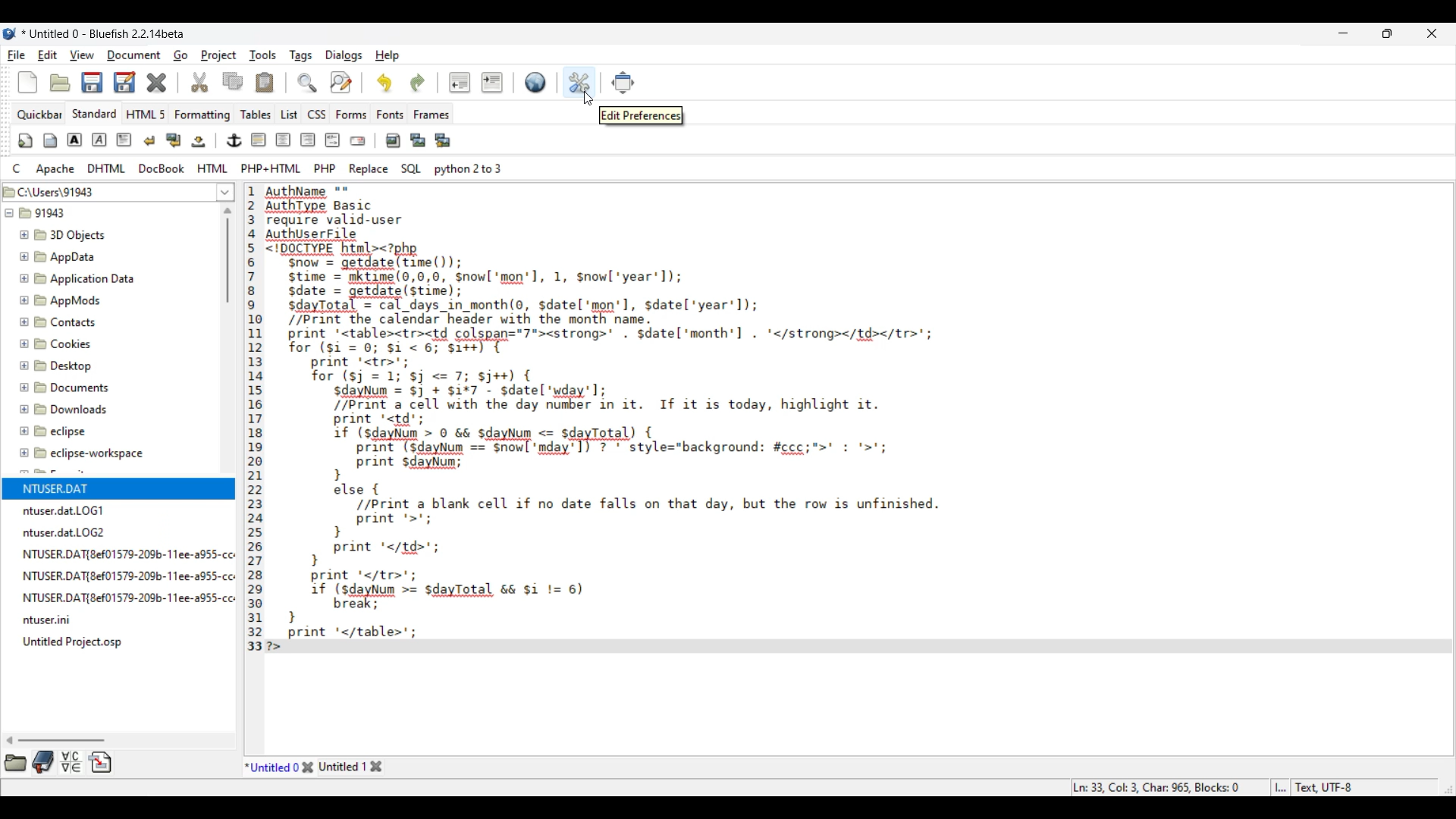  Describe the element at coordinates (1387, 33) in the screenshot. I see `Show in smaller tab` at that location.